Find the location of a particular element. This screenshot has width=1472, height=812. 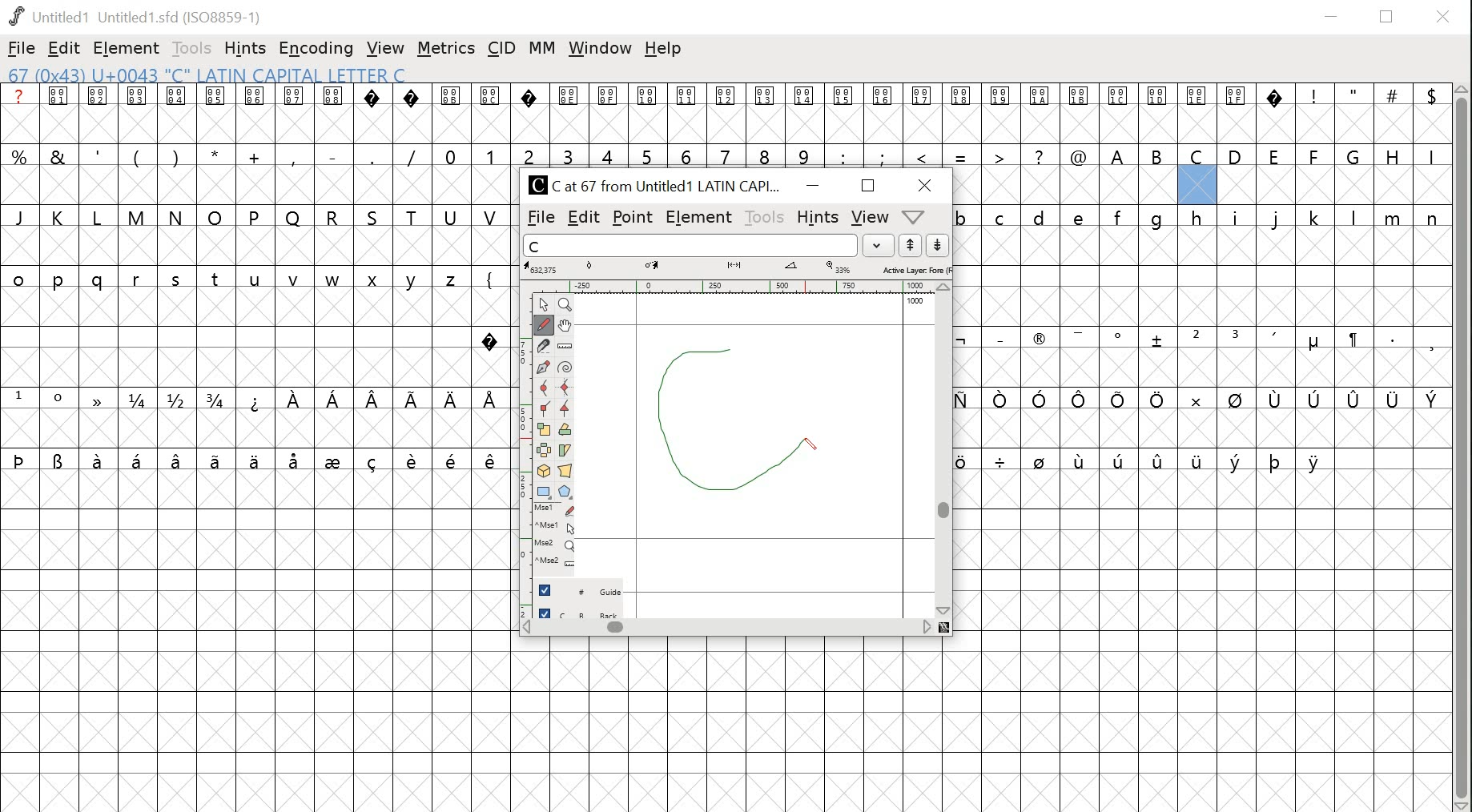

guide layer is located at coordinates (582, 589).